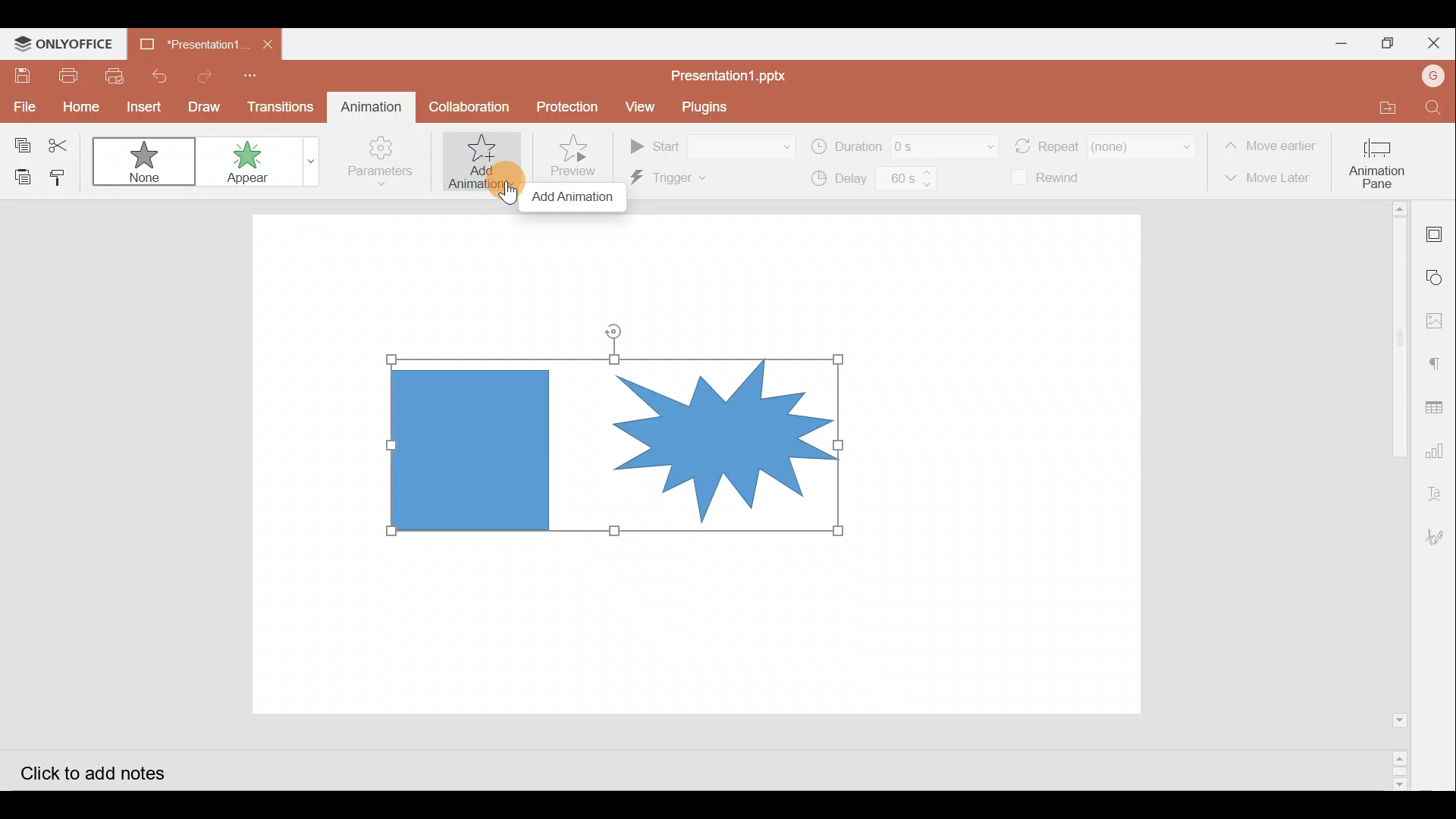 This screenshot has width=1456, height=819. What do you see at coordinates (637, 108) in the screenshot?
I see `View` at bounding box center [637, 108].